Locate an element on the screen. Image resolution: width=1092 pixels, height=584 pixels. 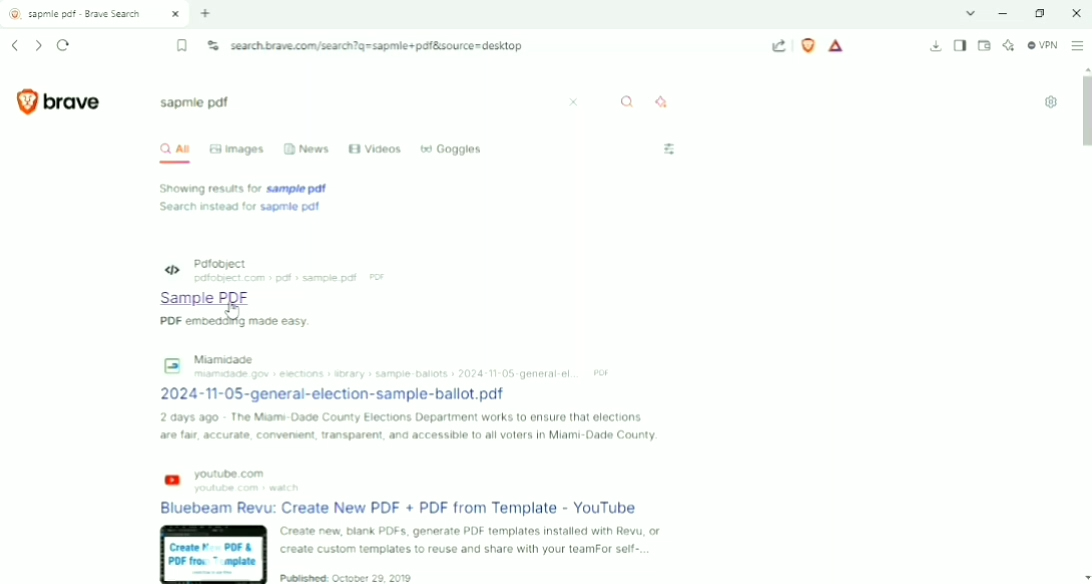
Search is located at coordinates (628, 101).